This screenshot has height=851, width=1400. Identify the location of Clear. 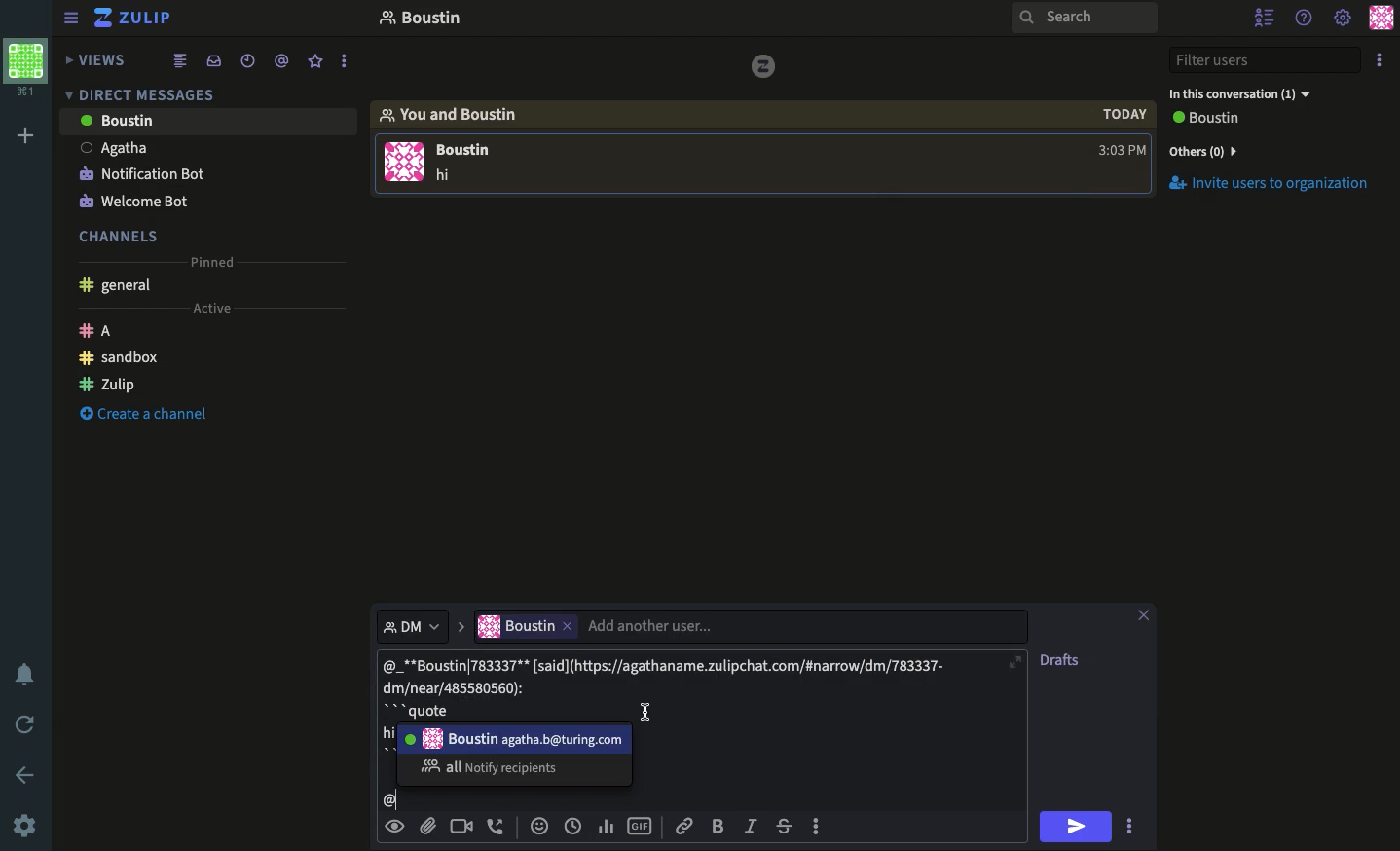
(1152, 613).